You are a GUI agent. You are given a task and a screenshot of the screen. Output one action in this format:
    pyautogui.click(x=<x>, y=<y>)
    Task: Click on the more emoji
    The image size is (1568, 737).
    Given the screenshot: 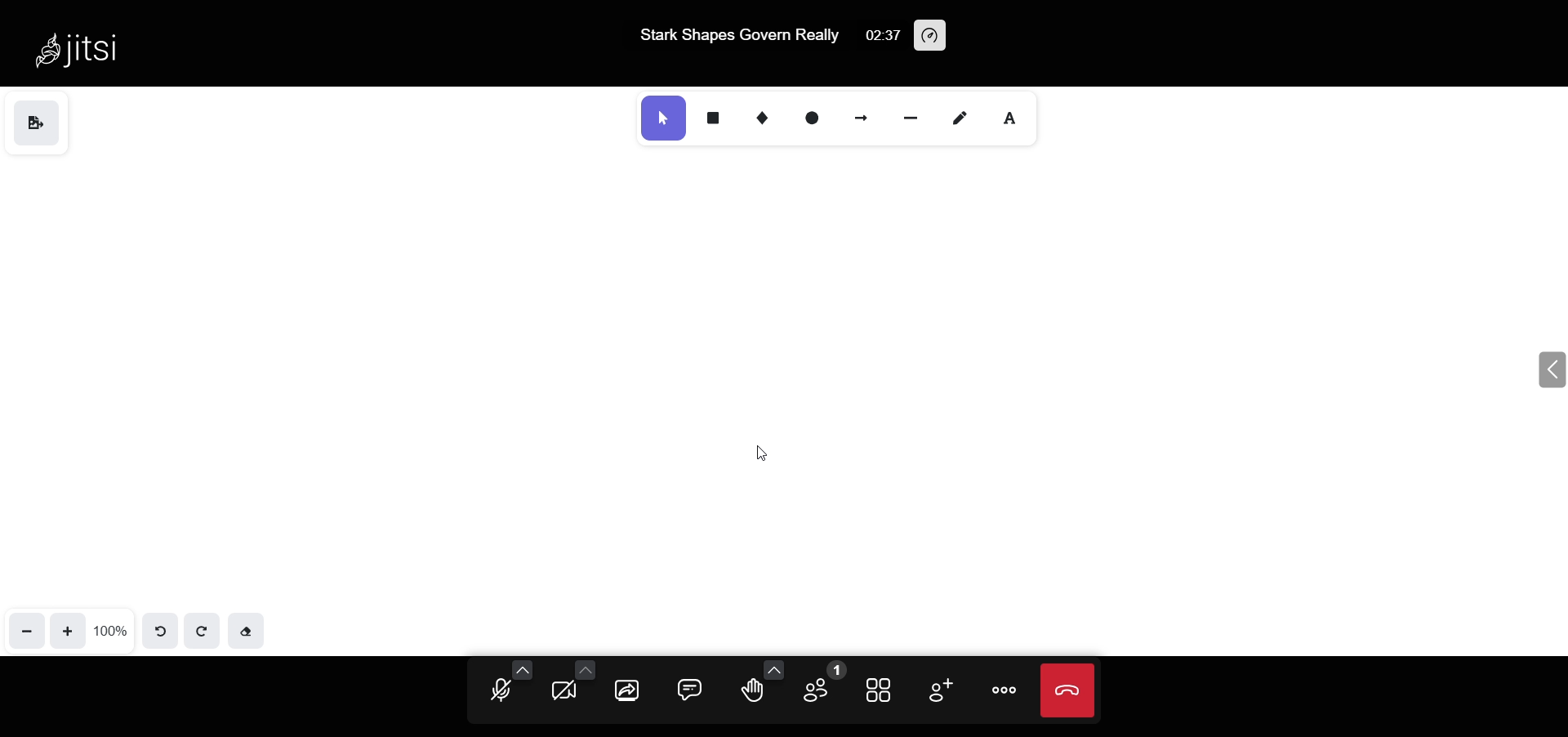 What is the action you would take?
    pyautogui.click(x=771, y=669)
    